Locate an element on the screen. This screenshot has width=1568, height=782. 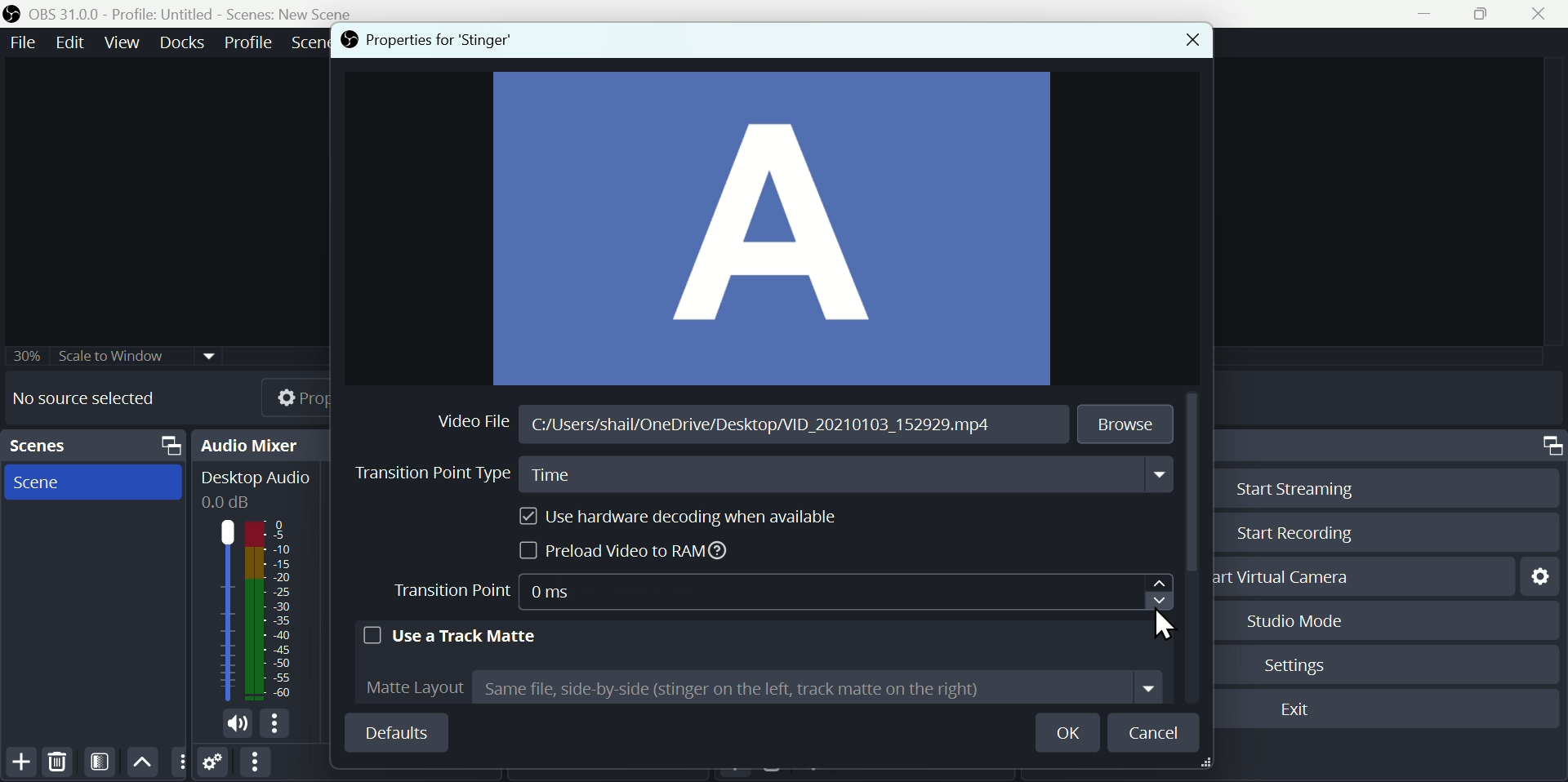
Default is located at coordinates (395, 732).